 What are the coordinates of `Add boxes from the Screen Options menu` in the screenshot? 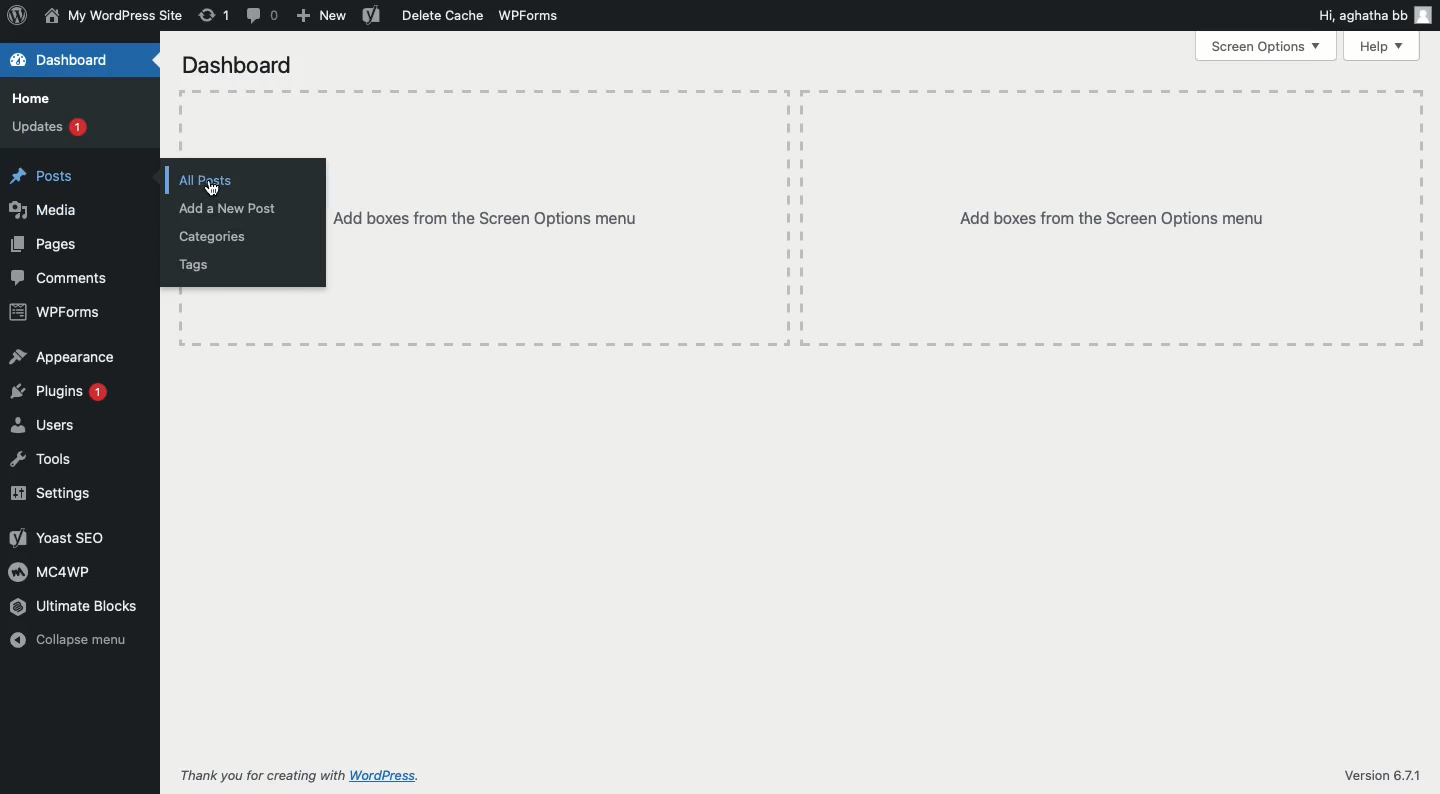 It's located at (506, 231).